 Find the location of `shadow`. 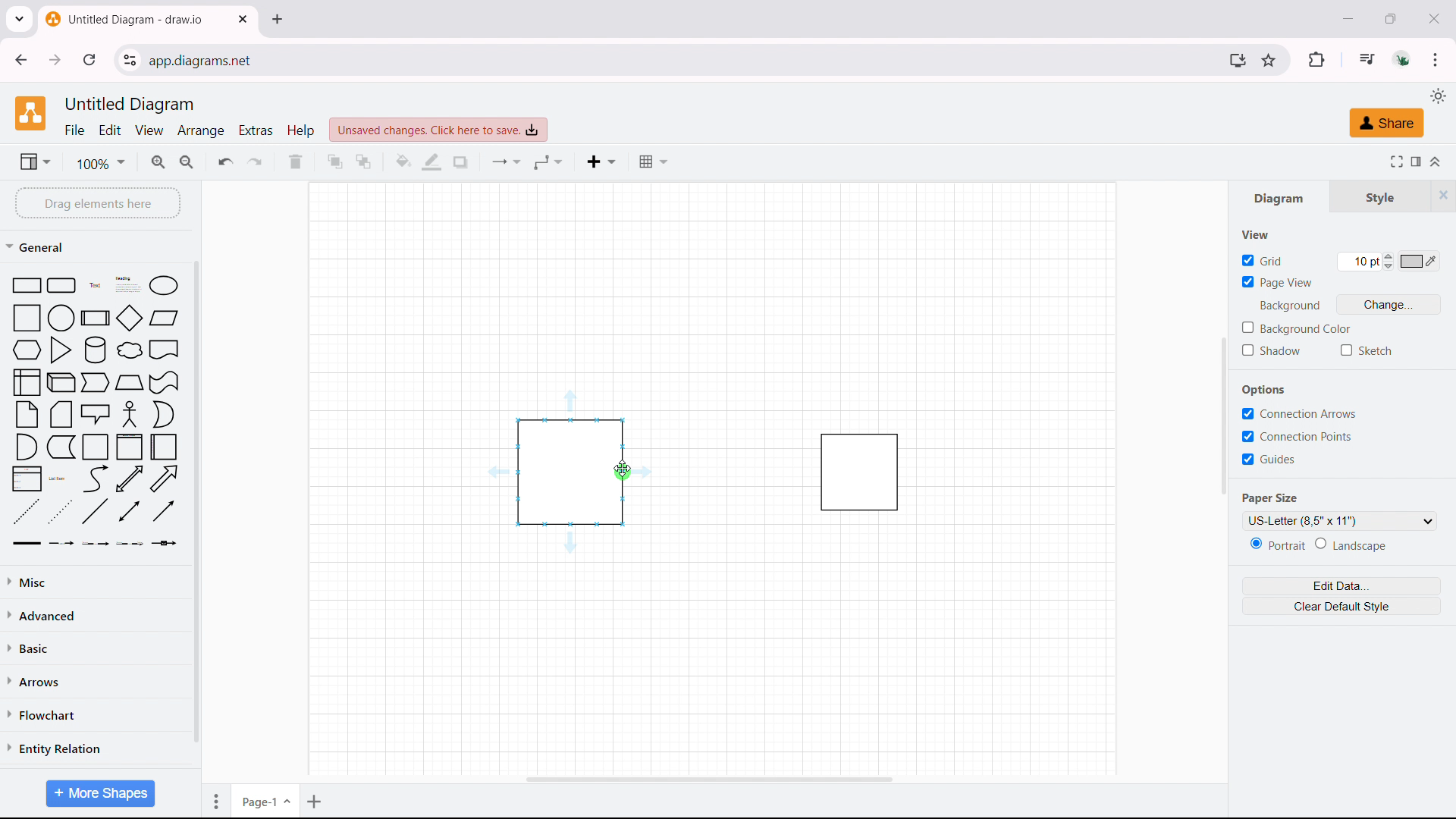

shadow is located at coordinates (460, 162).